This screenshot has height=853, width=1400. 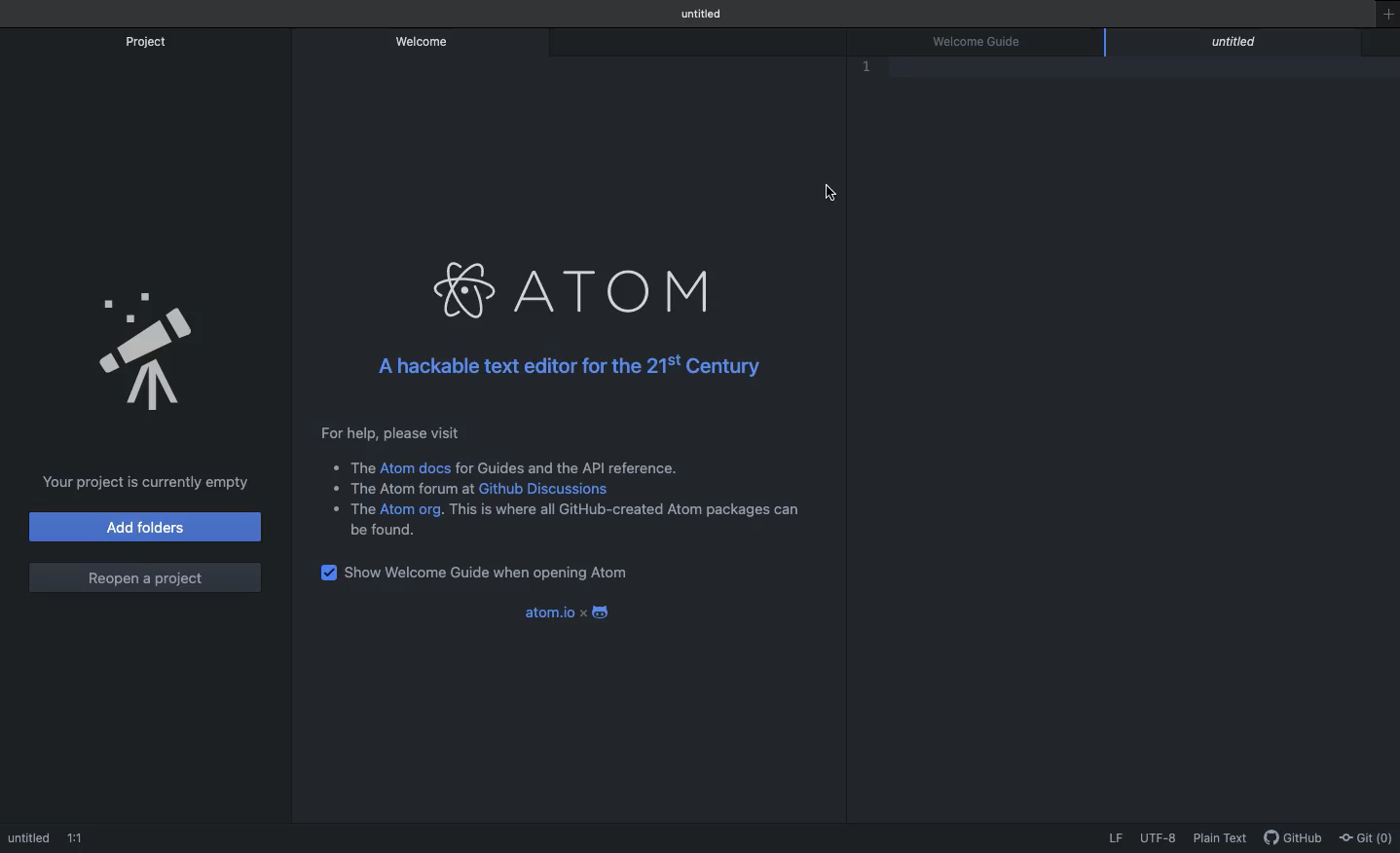 I want to click on Atom.org, so click(x=414, y=510).